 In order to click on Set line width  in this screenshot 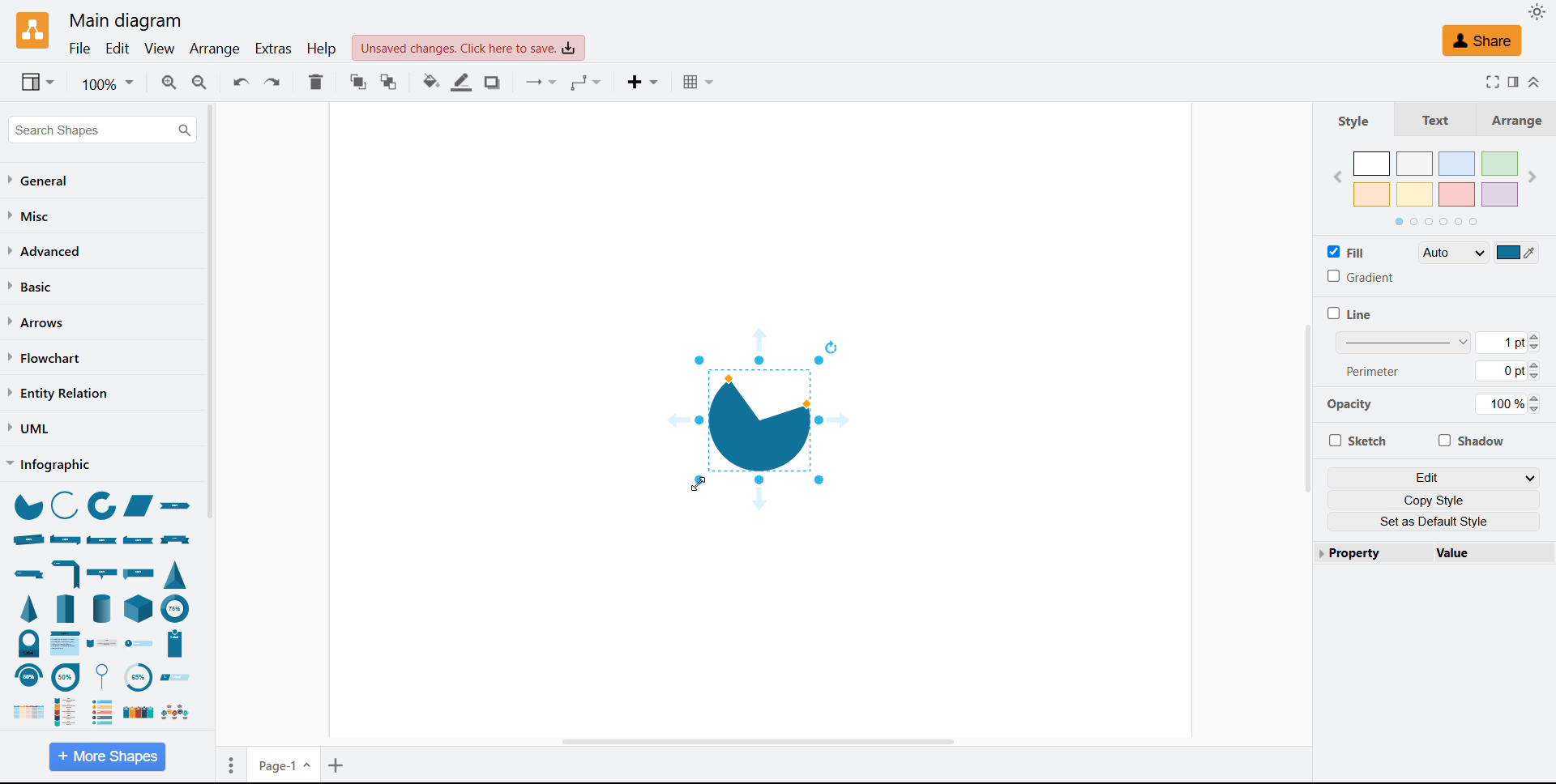, I will do `click(1438, 342)`.